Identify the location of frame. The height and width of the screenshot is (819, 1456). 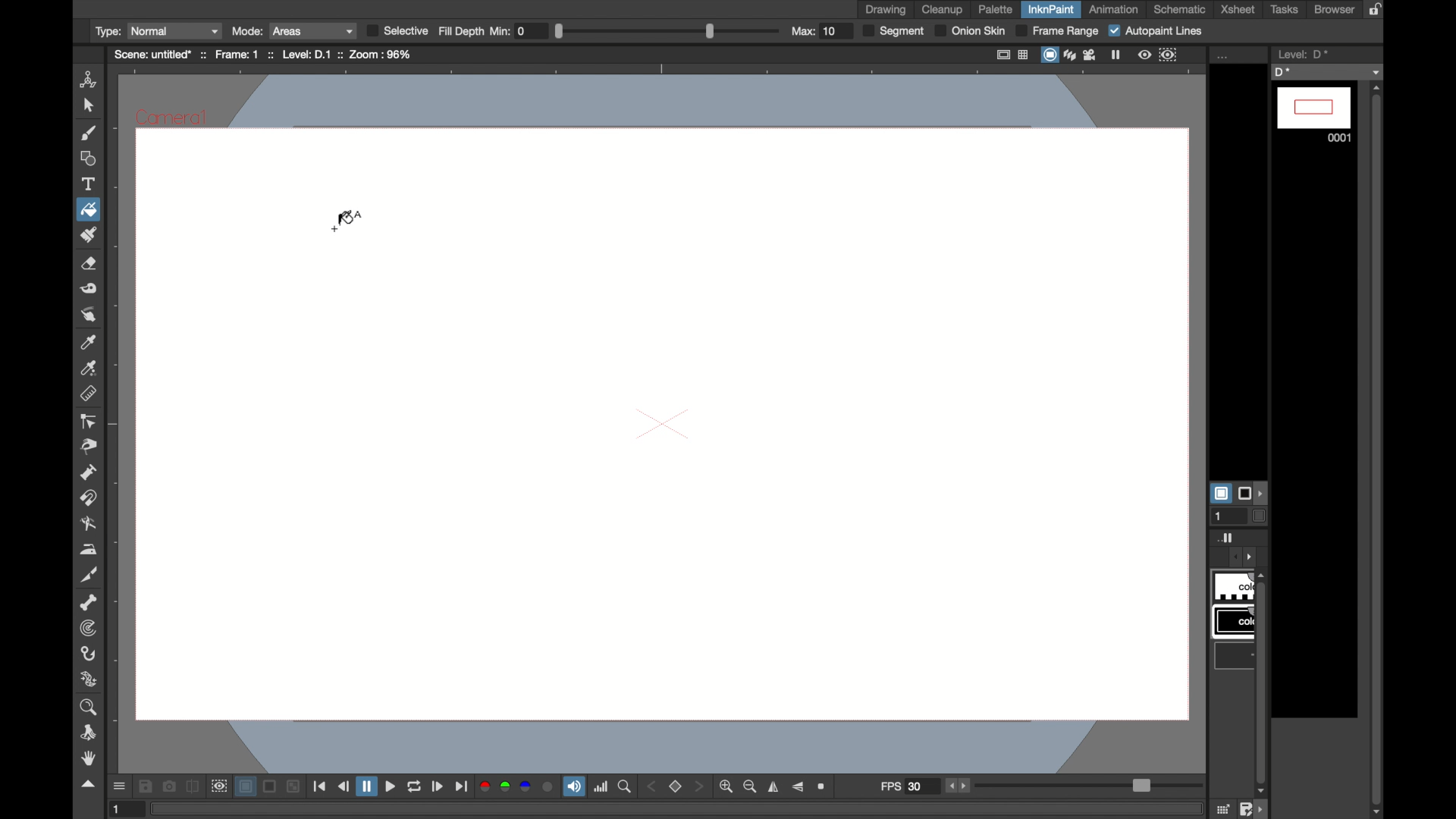
(1169, 55).